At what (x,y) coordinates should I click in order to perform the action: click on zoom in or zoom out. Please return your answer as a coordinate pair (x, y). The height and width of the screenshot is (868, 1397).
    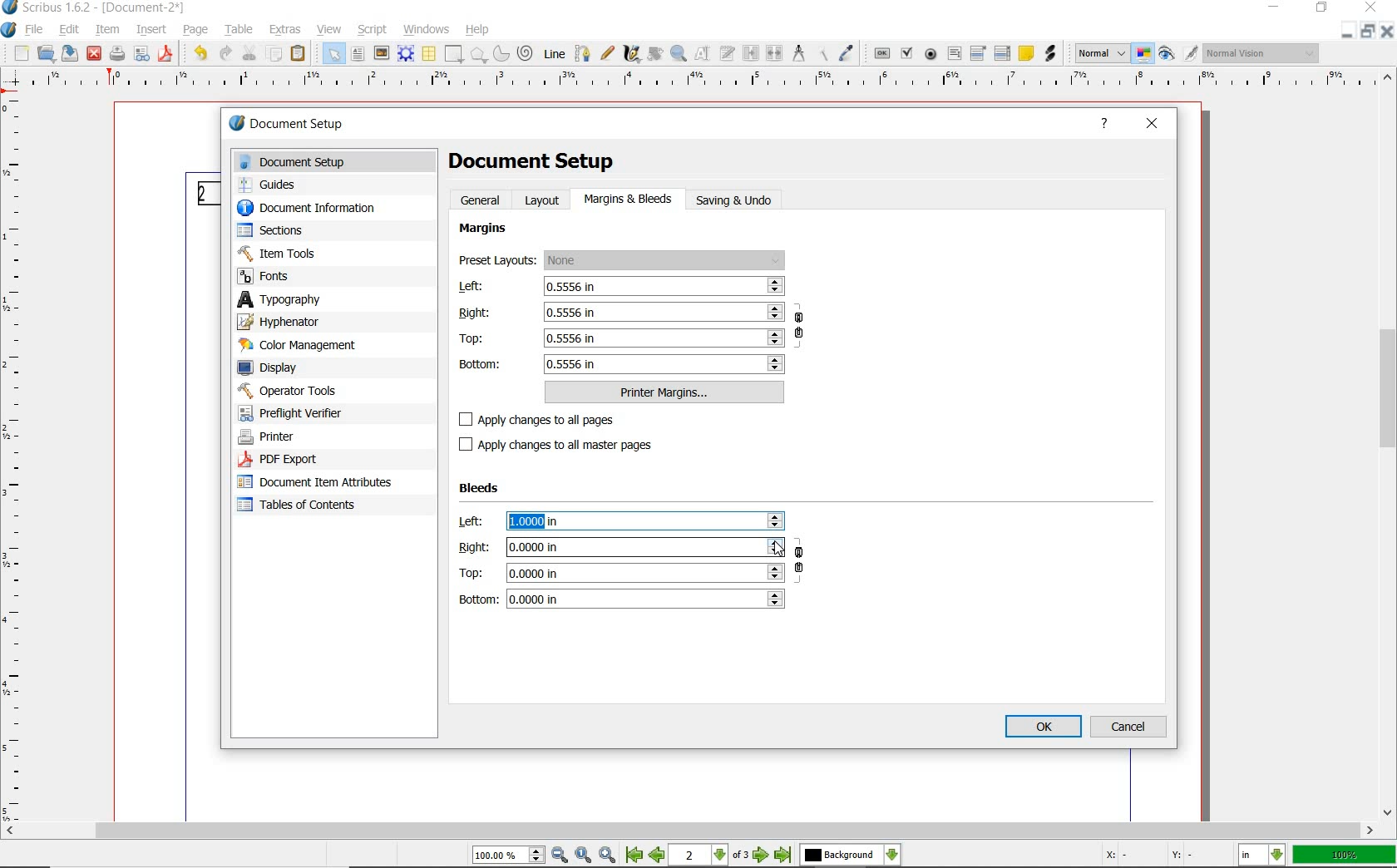
    Looking at the image, I should click on (679, 55).